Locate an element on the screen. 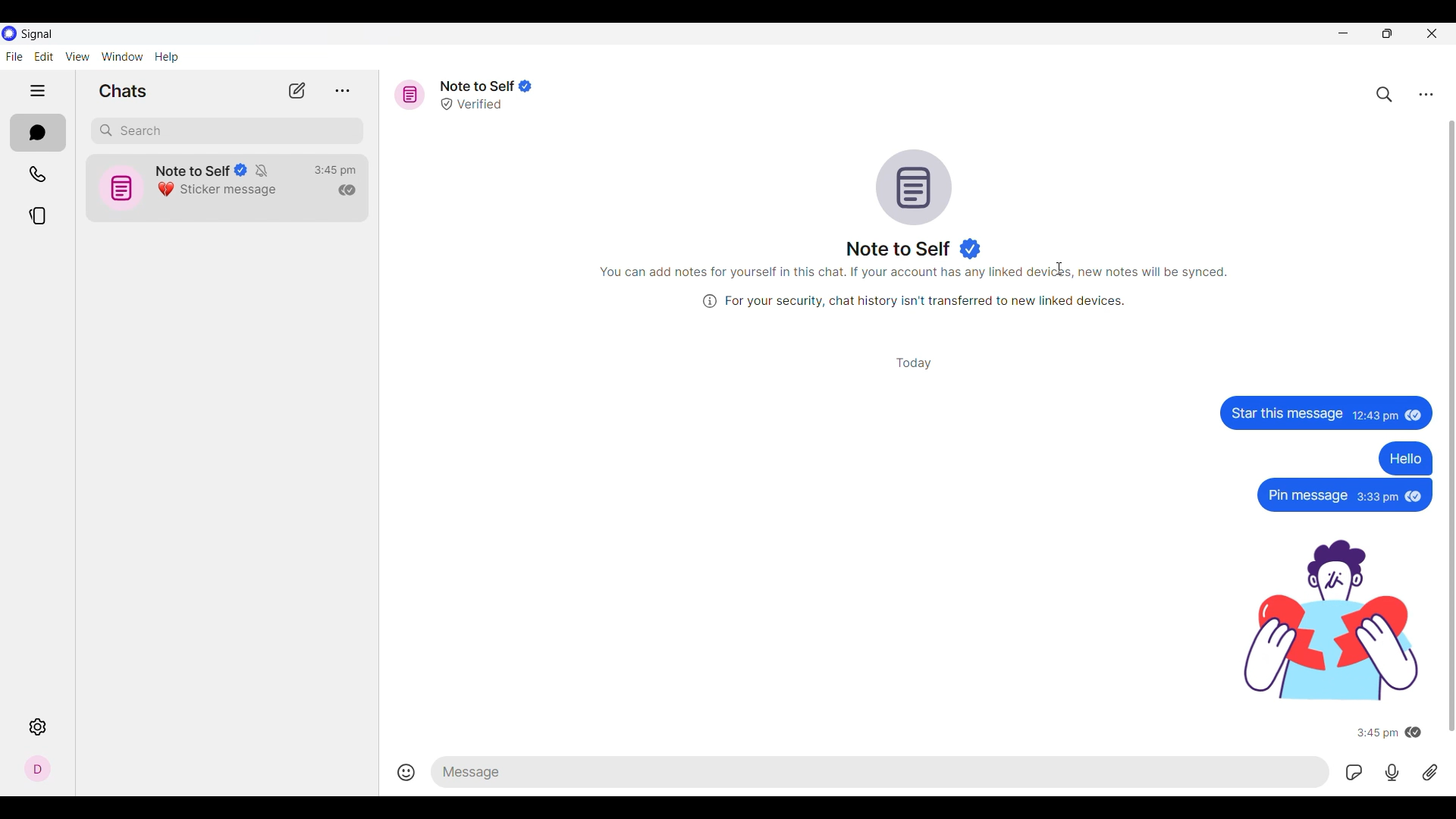  Name of message reciever is located at coordinates (899, 249).